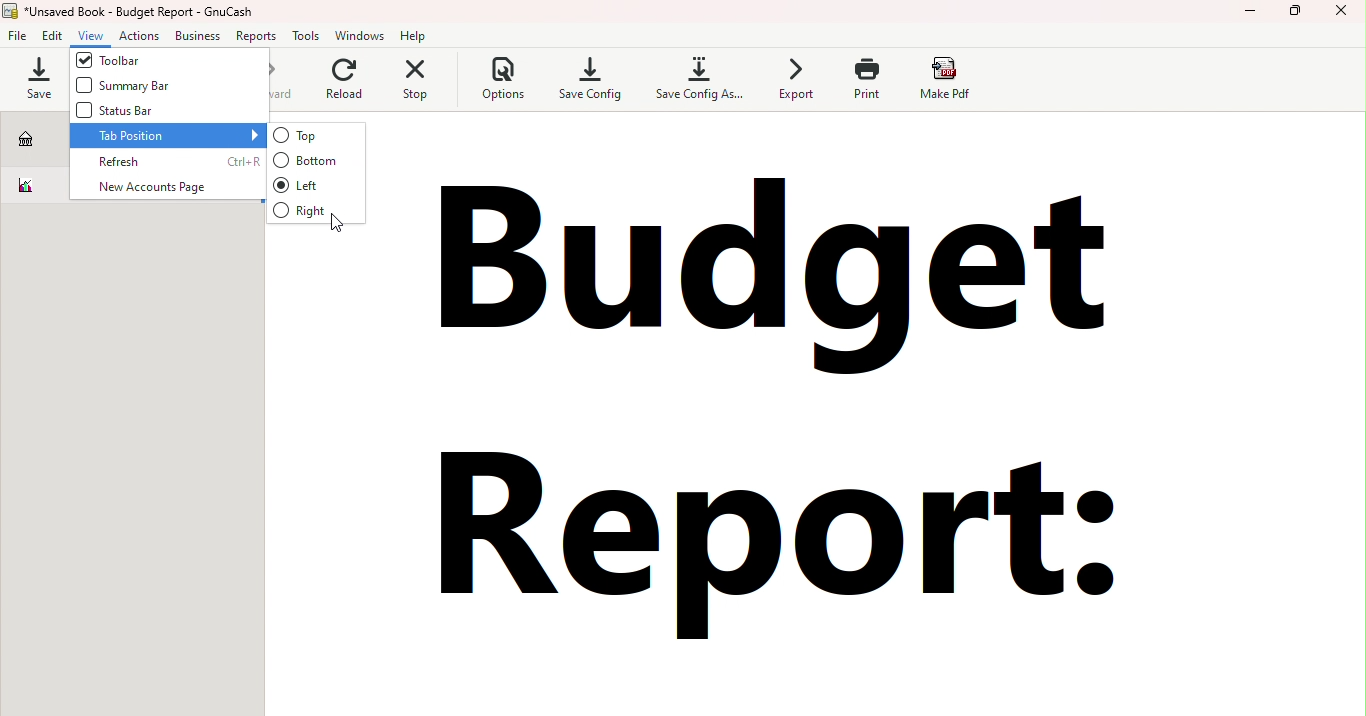 The width and height of the screenshot is (1366, 716). I want to click on Business, so click(197, 37).